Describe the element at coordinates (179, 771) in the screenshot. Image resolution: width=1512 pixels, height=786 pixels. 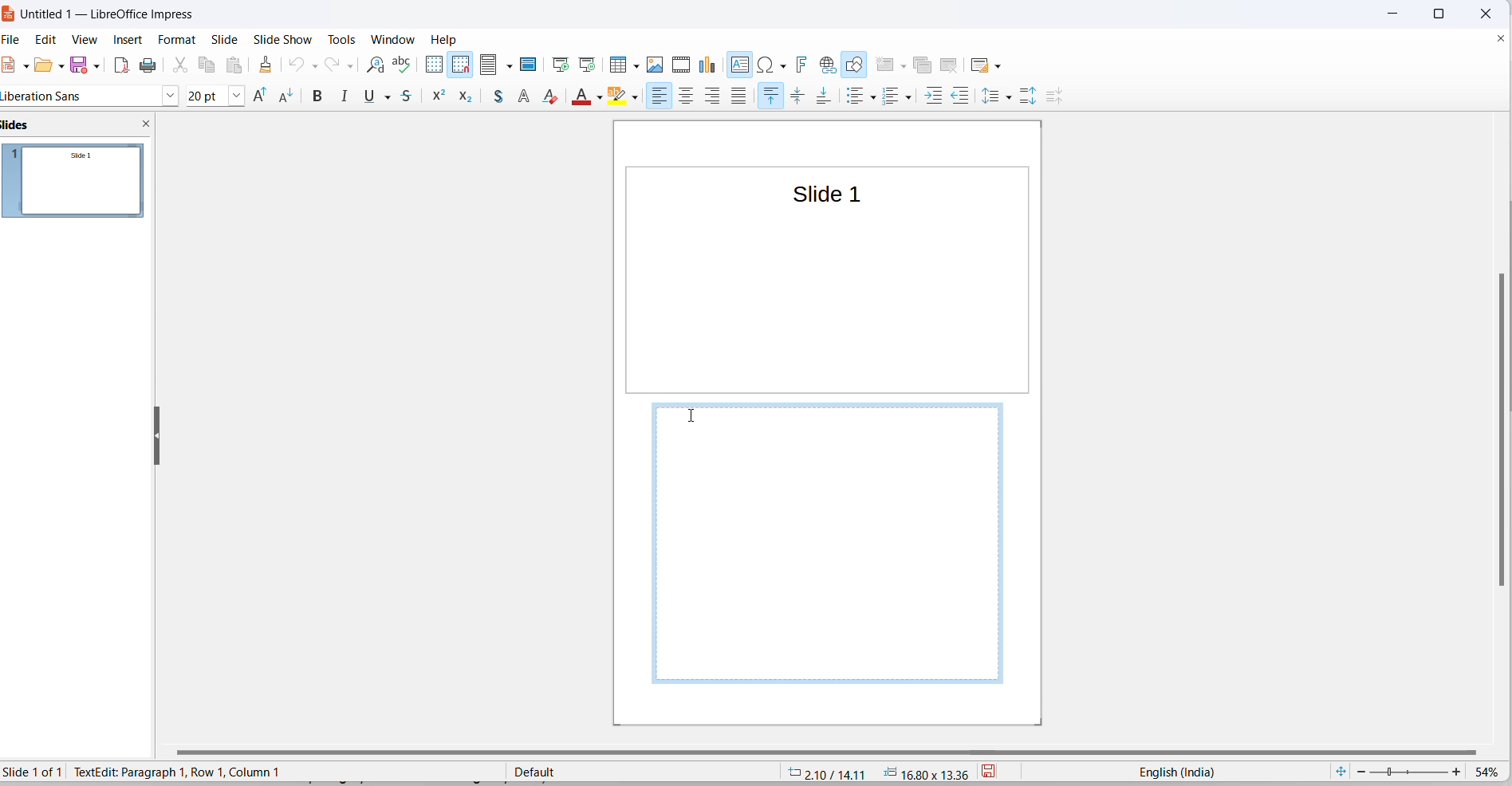
I see `text typing heading` at that location.